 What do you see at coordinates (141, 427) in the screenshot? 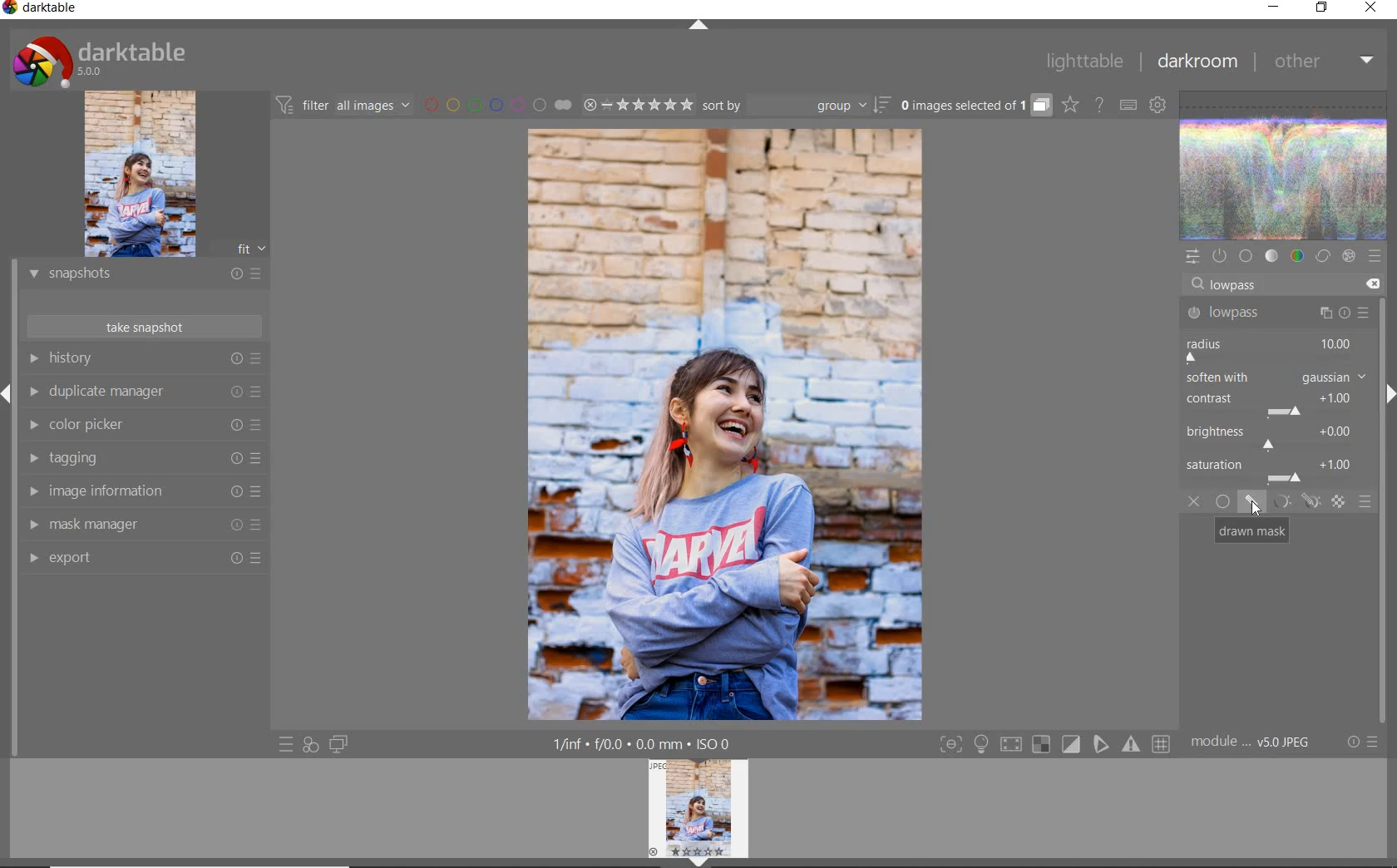
I see `color picker` at bounding box center [141, 427].